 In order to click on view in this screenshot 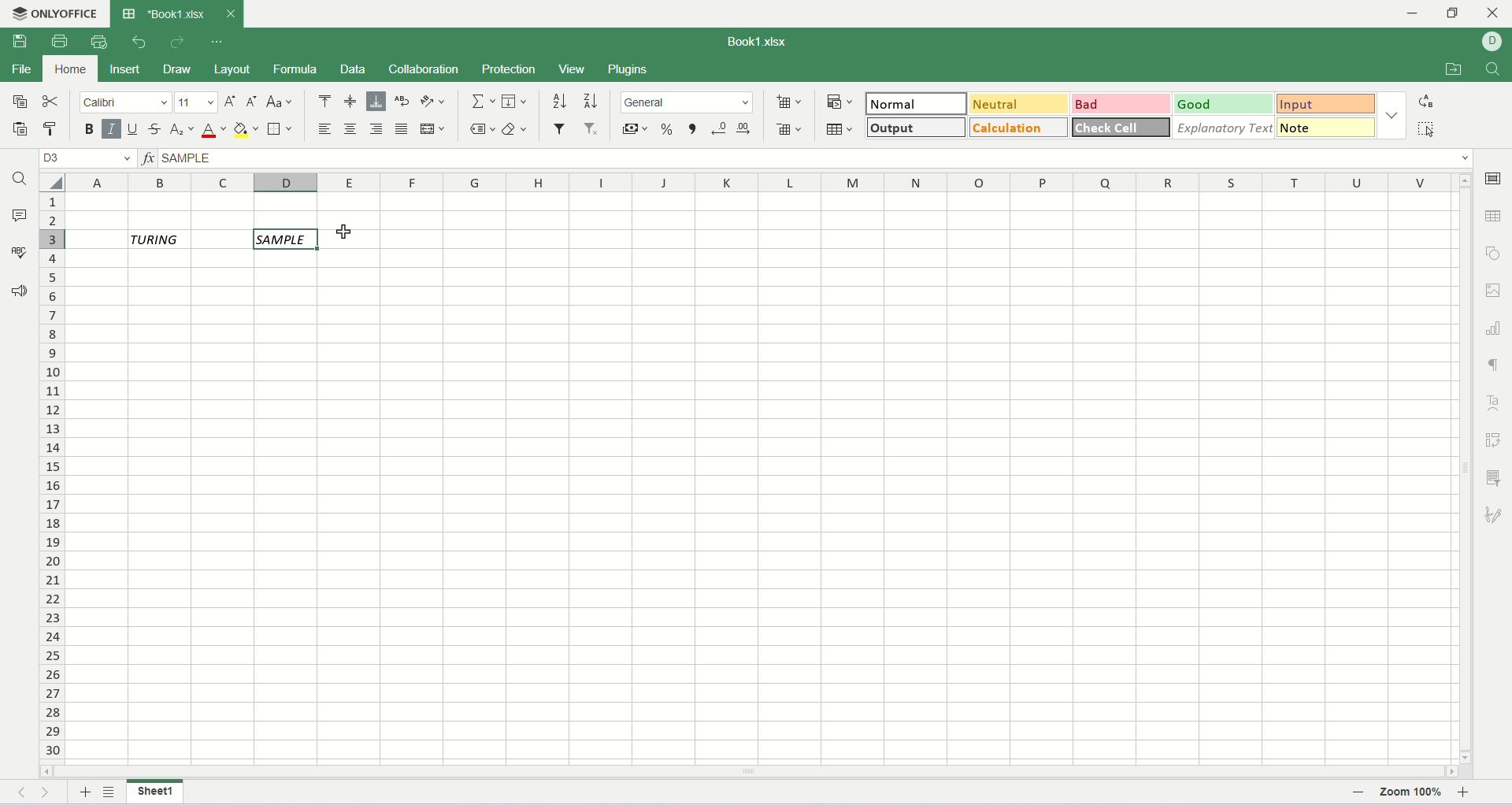, I will do `click(571, 69)`.